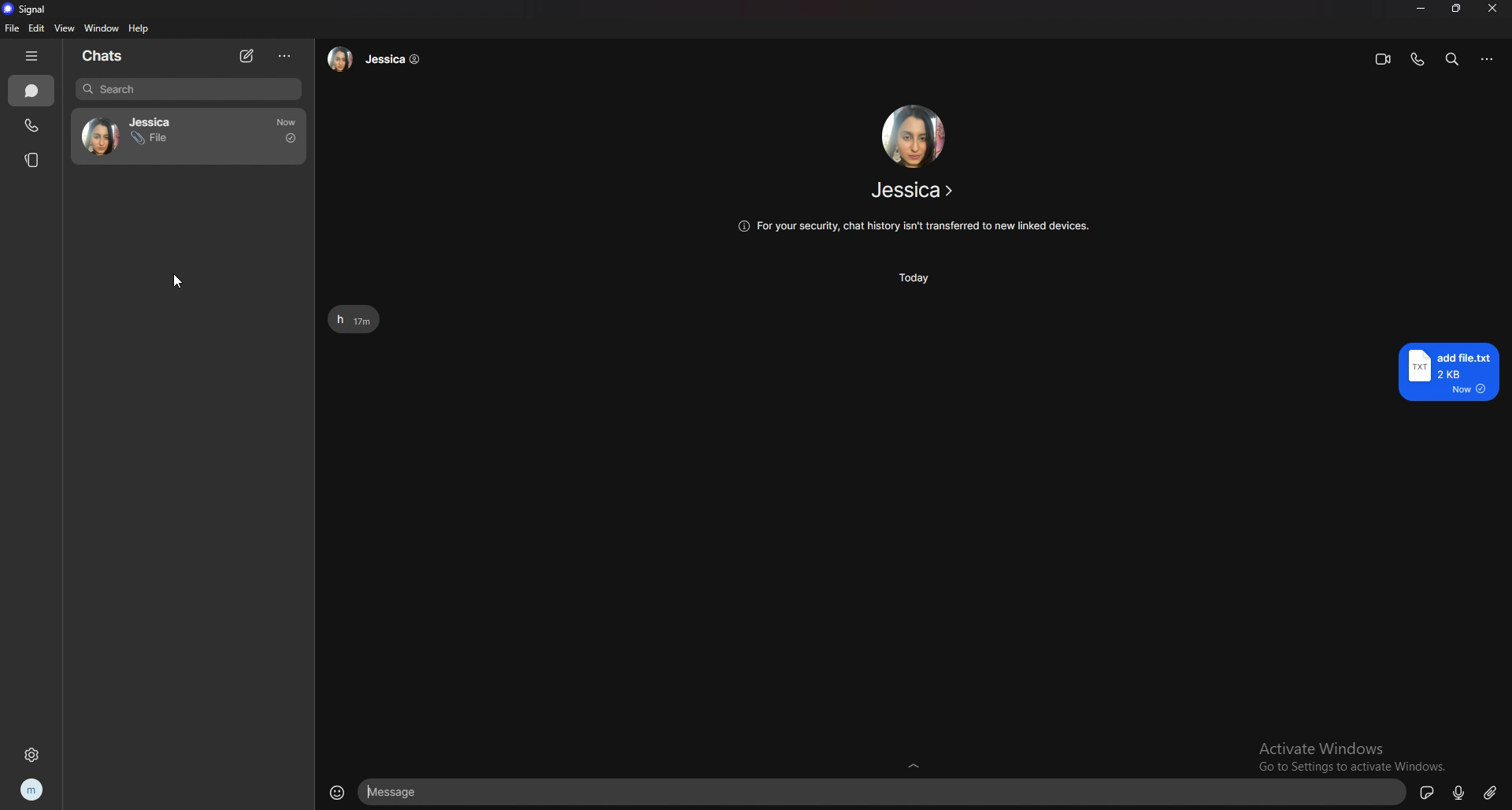  I want to click on signal, so click(27, 9).